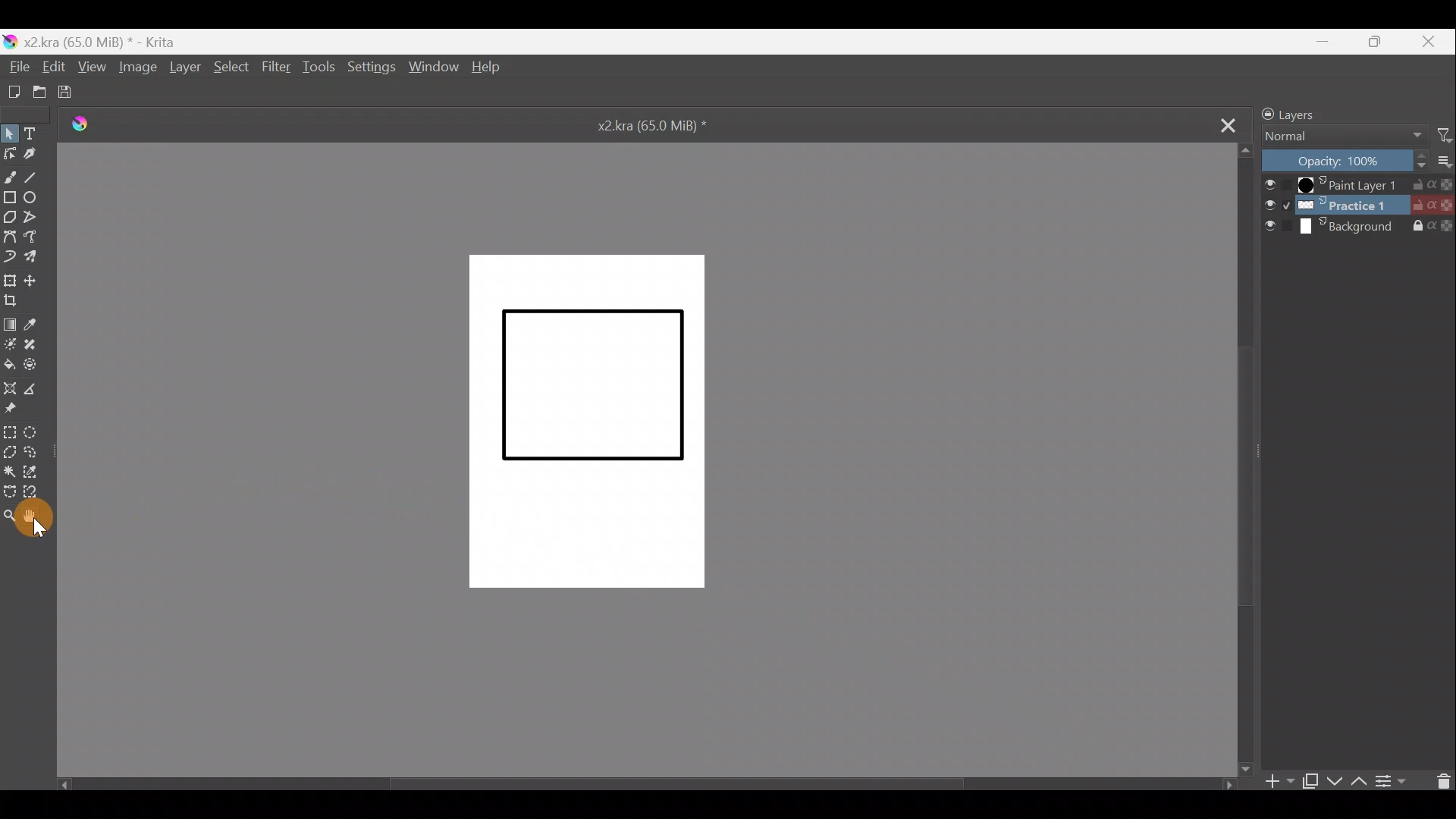 The height and width of the screenshot is (819, 1456). I want to click on Enclose & fill tool, so click(35, 364).